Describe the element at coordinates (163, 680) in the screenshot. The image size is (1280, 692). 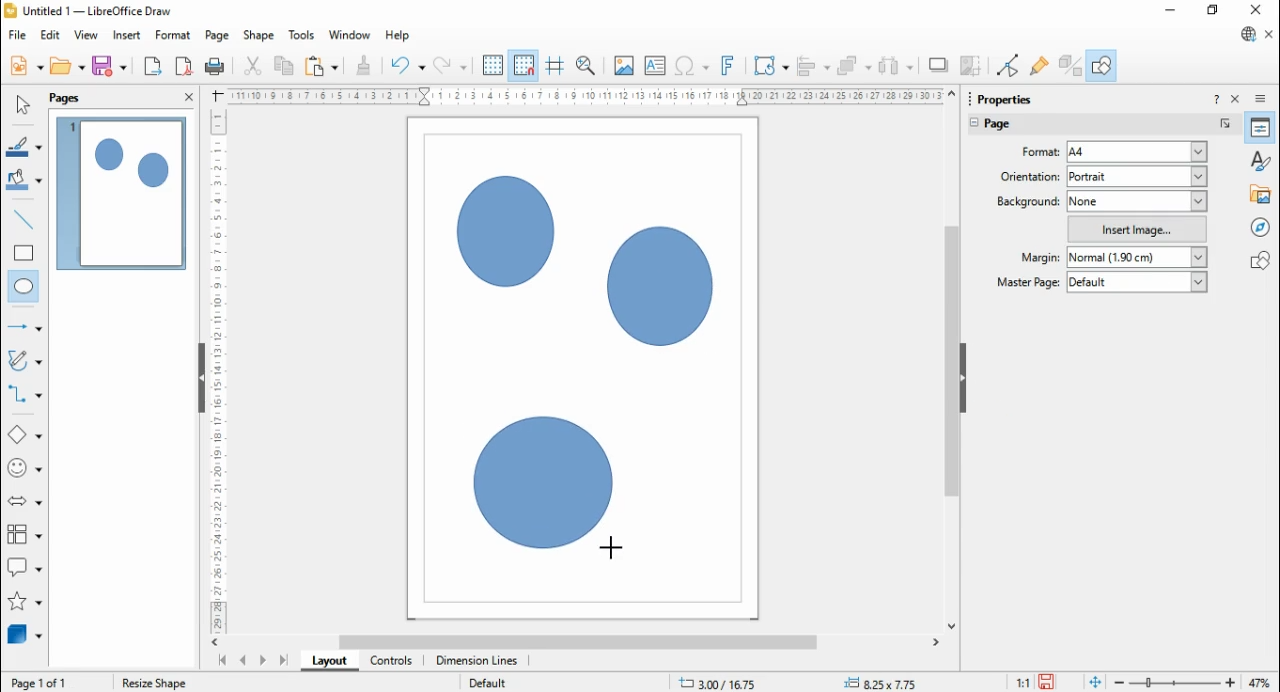
I see `Shape selected` at that location.